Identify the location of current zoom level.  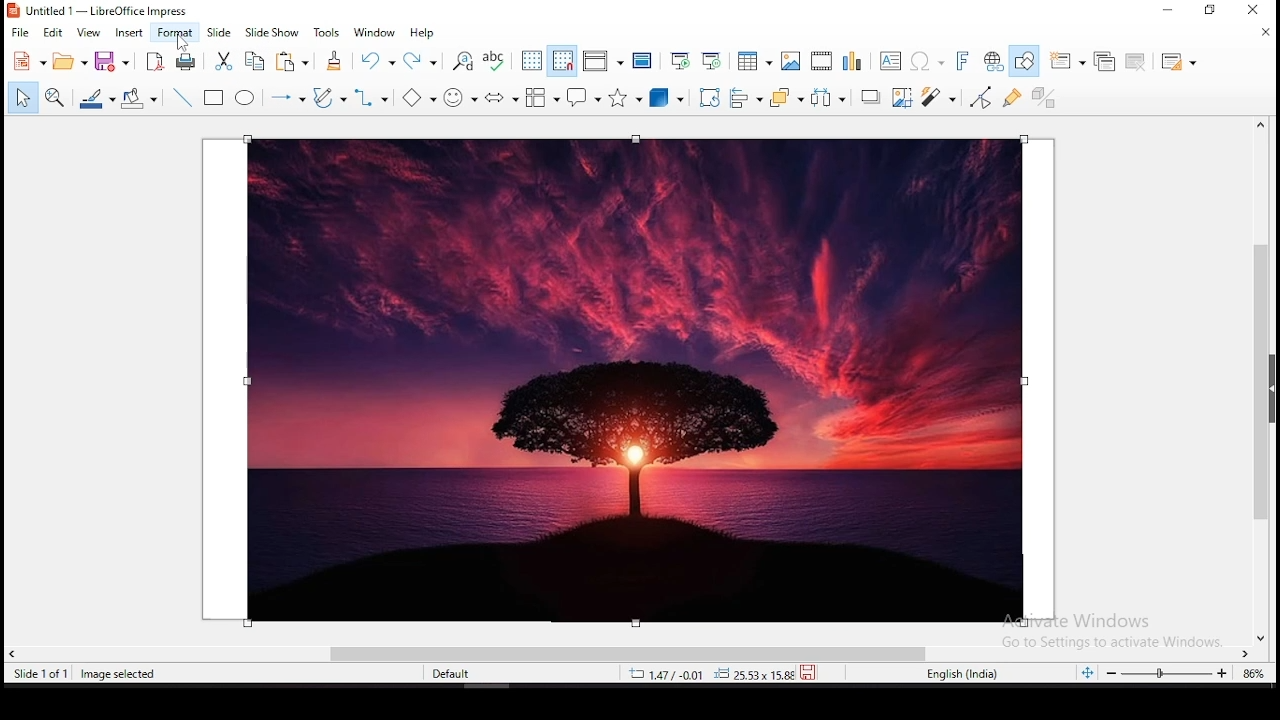
(1251, 676).